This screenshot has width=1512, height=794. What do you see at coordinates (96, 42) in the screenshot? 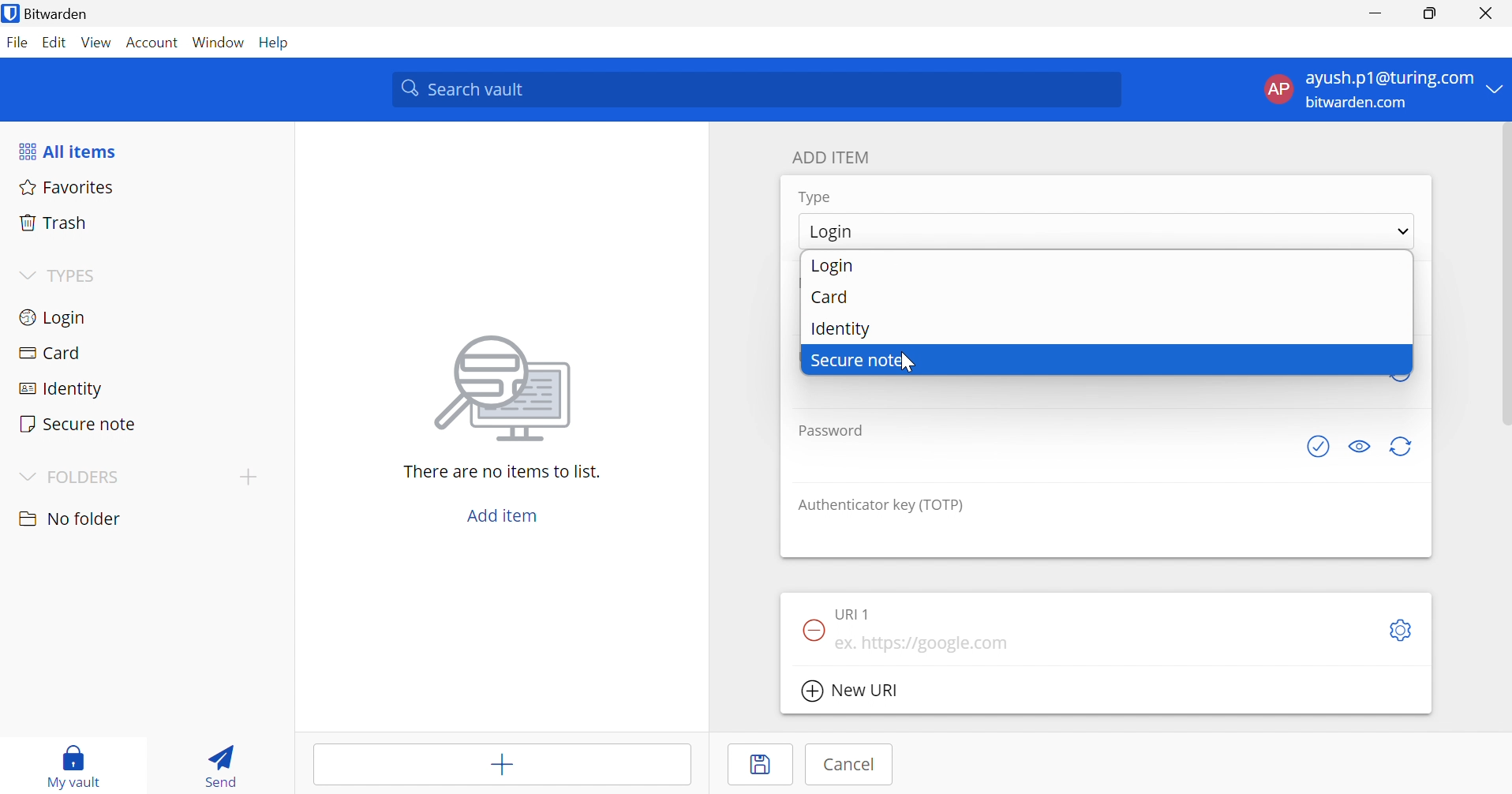
I see `View` at bounding box center [96, 42].